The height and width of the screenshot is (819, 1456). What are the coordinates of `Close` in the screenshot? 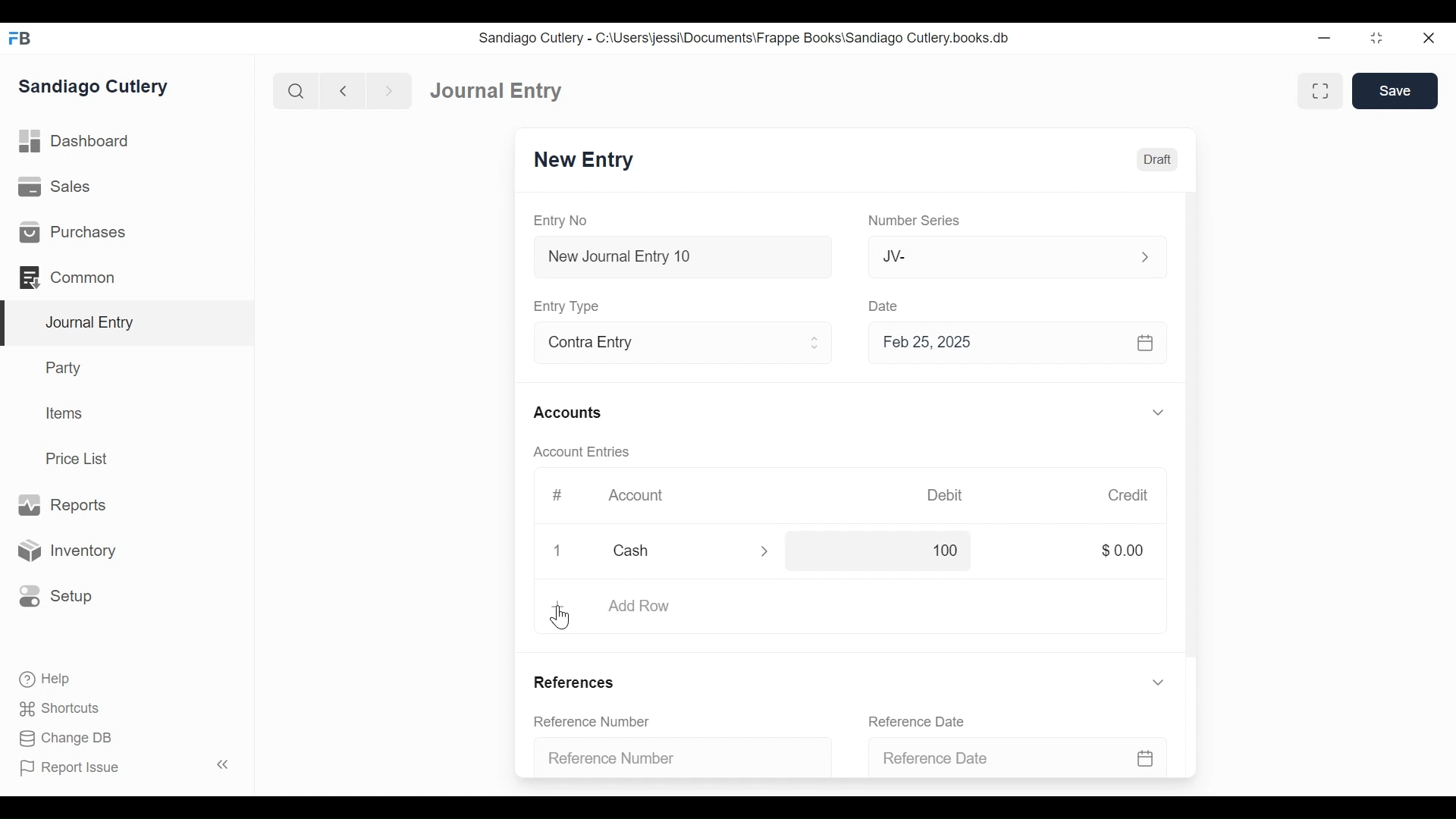 It's located at (1427, 39).